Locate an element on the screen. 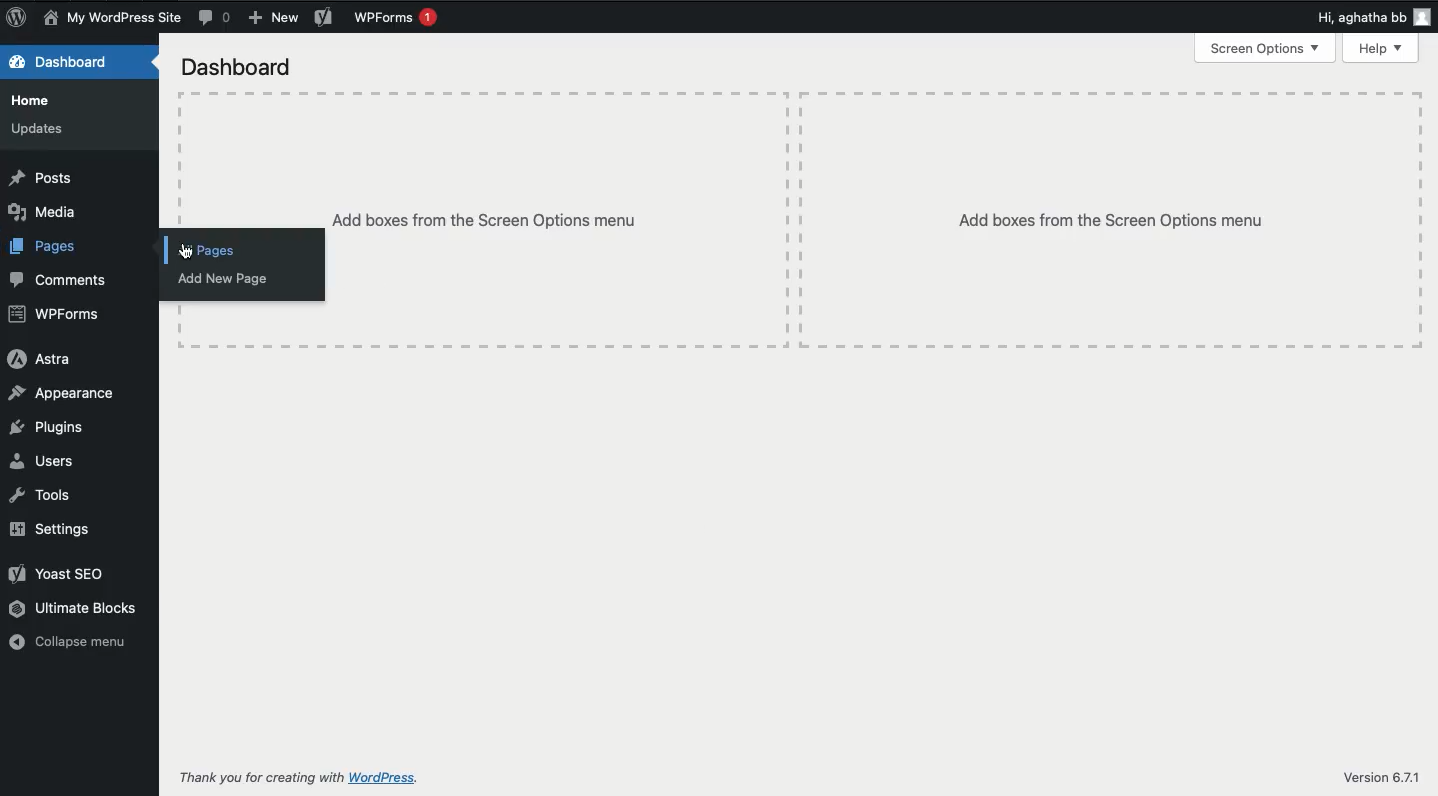 The height and width of the screenshot is (796, 1438). Comments is located at coordinates (63, 280).